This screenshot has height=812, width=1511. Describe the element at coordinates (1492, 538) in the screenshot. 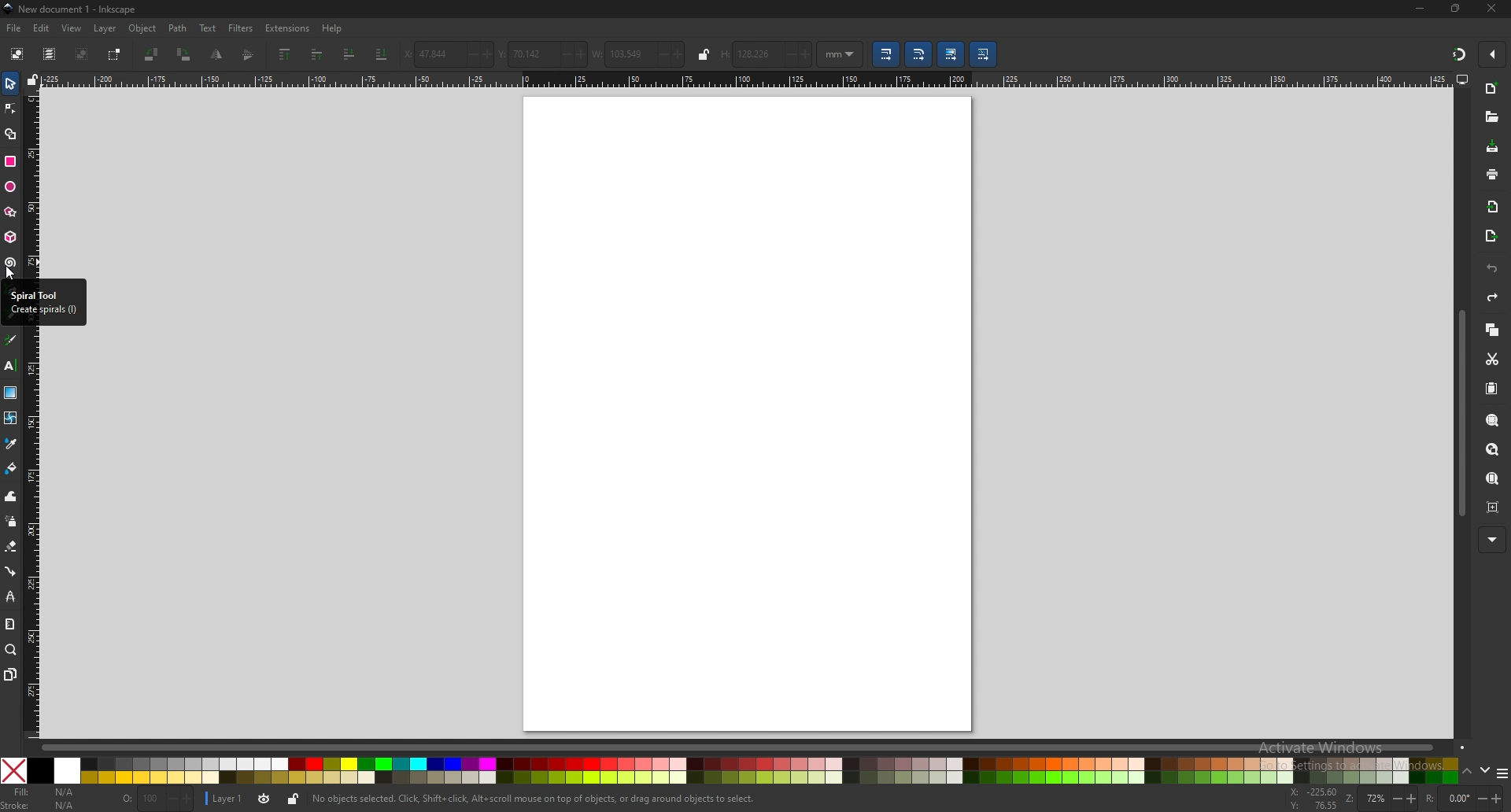

I see `more` at that location.